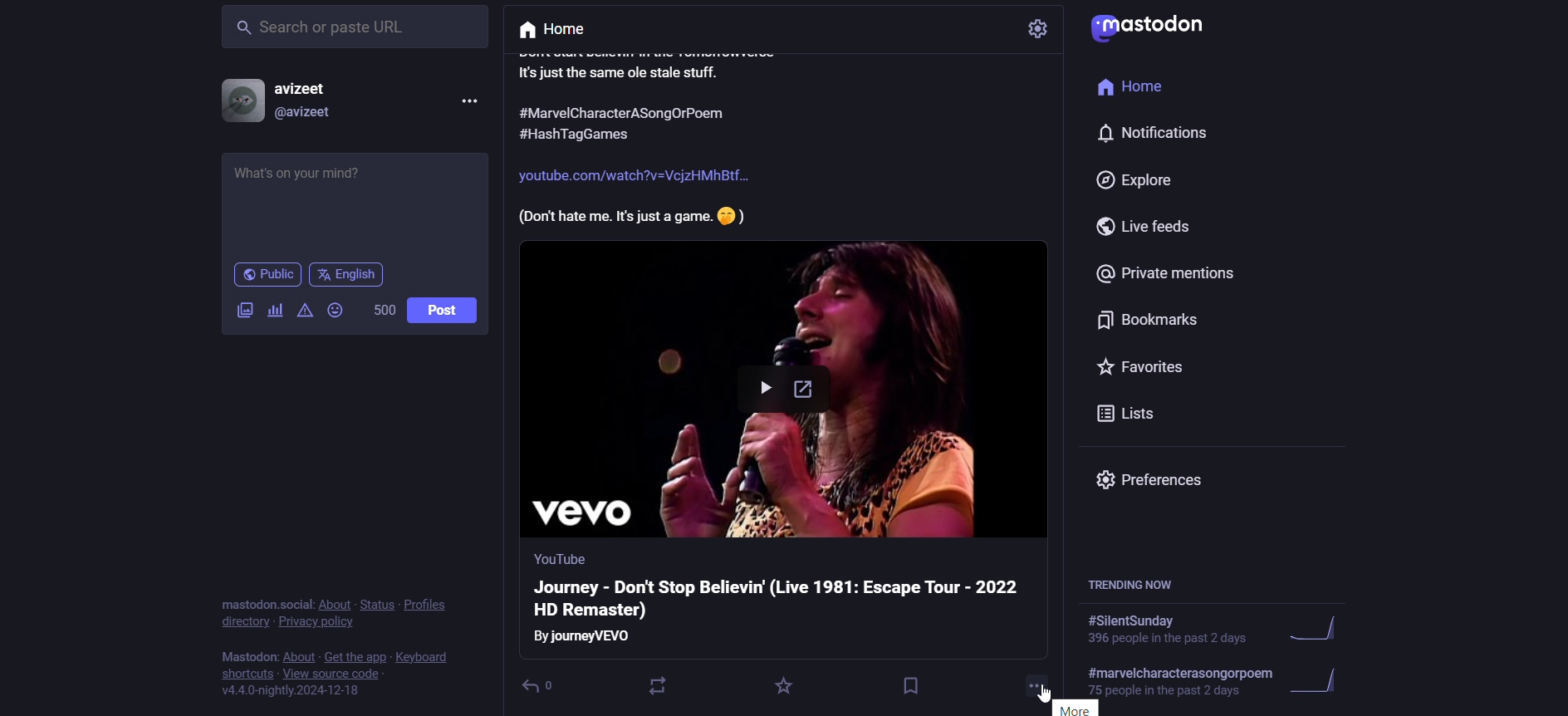 The height and width of the screenshot is (716, 1568). What do you see at coordinates (304, 87) in the screenshot?
I see `username` at bounding box center [304, 87].